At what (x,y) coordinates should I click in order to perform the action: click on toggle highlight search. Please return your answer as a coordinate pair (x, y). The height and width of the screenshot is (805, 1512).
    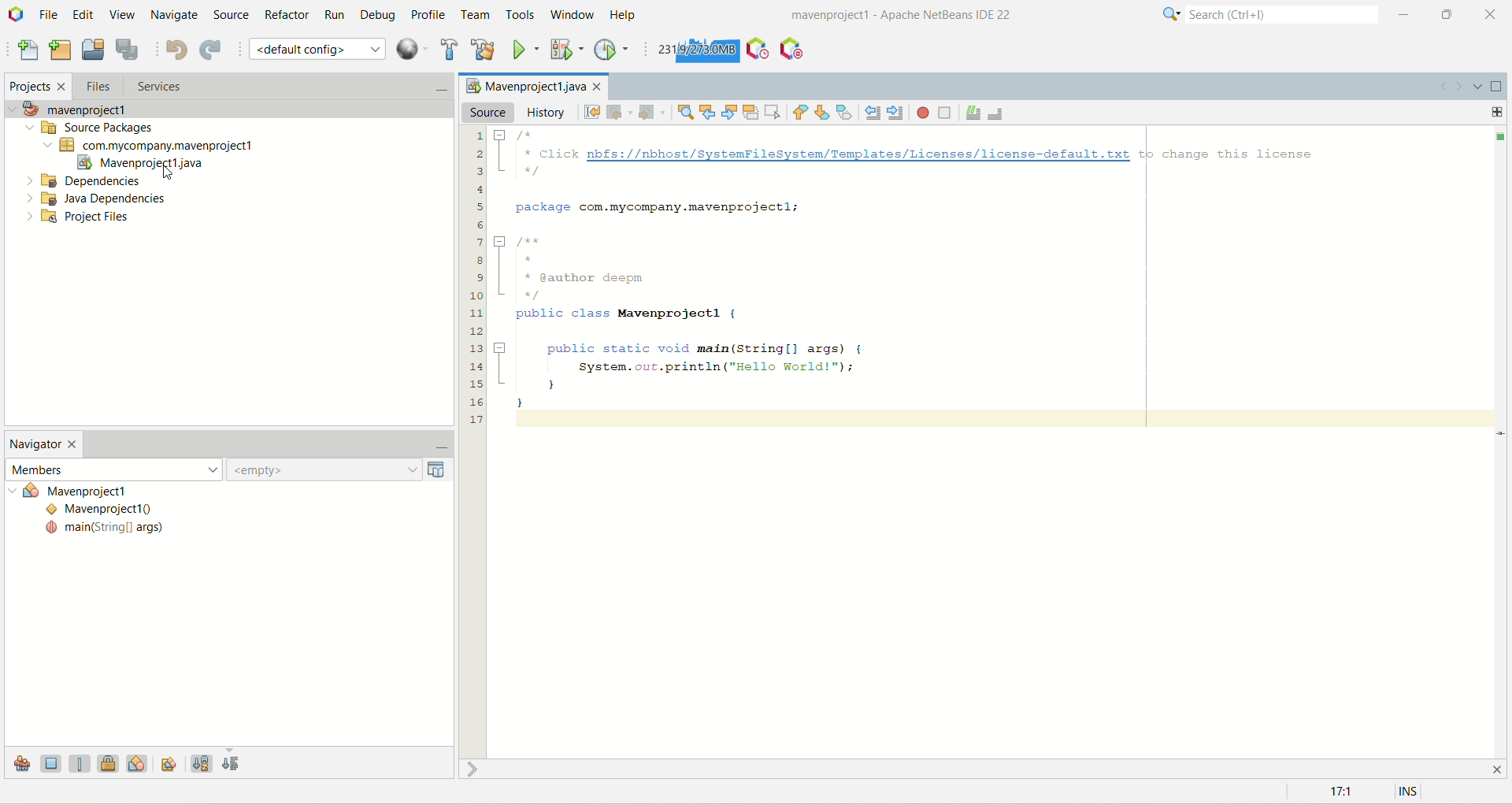
    Looking at the image, I should click on (750, 113).